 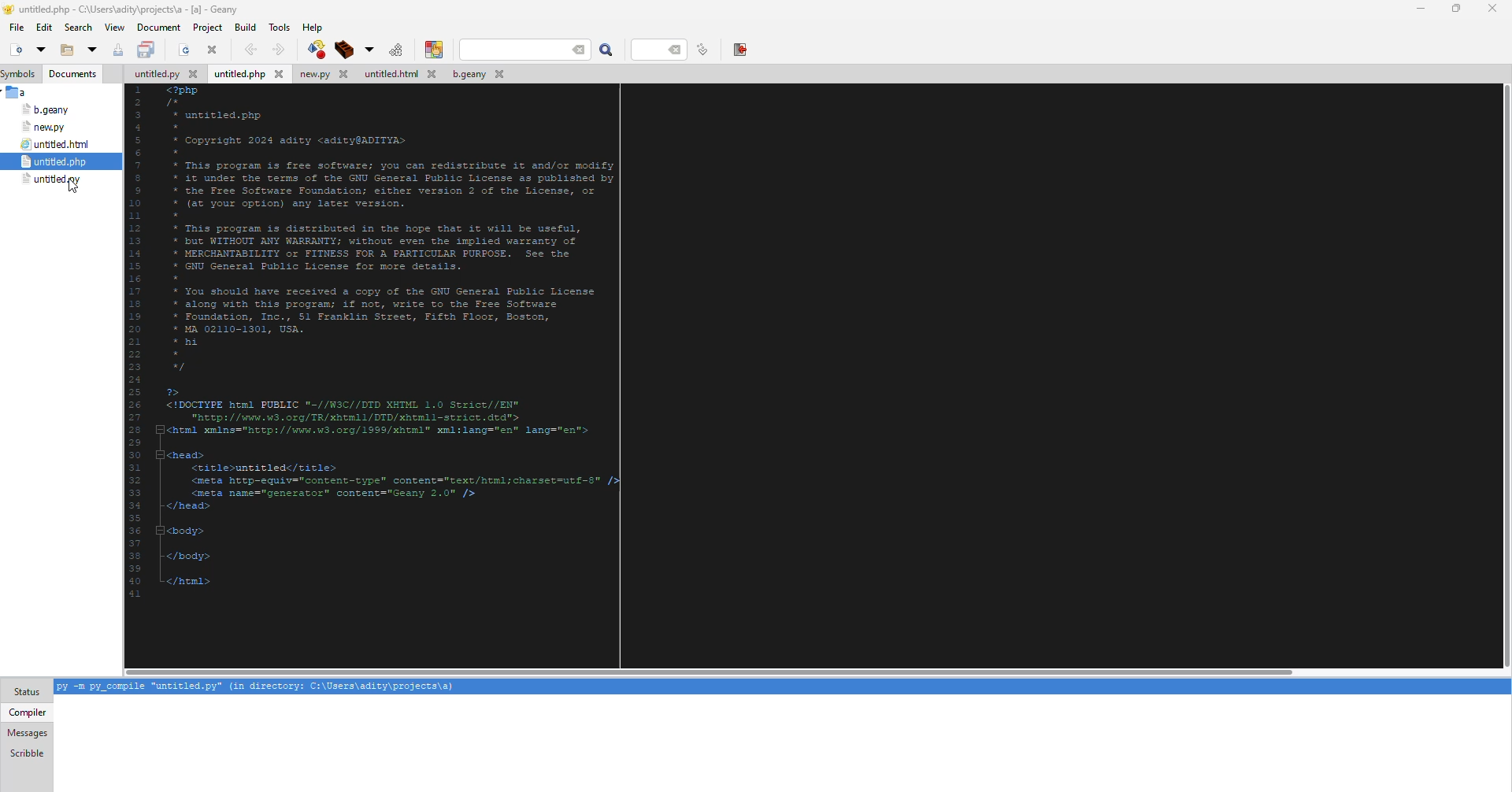 I want to click on search, so click(x=606, y=50).